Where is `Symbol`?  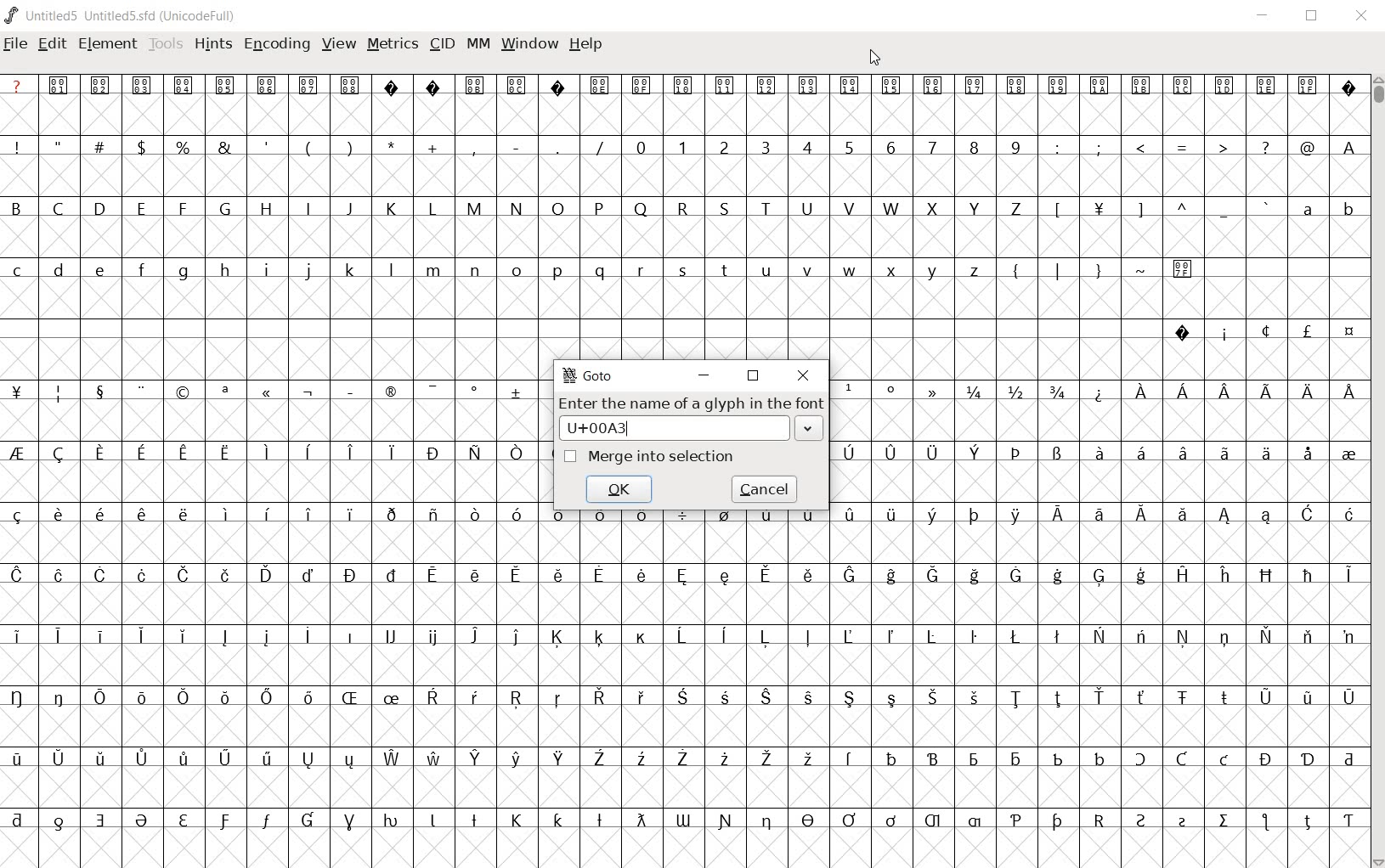
Symbol is located at coordinates (517, 820).